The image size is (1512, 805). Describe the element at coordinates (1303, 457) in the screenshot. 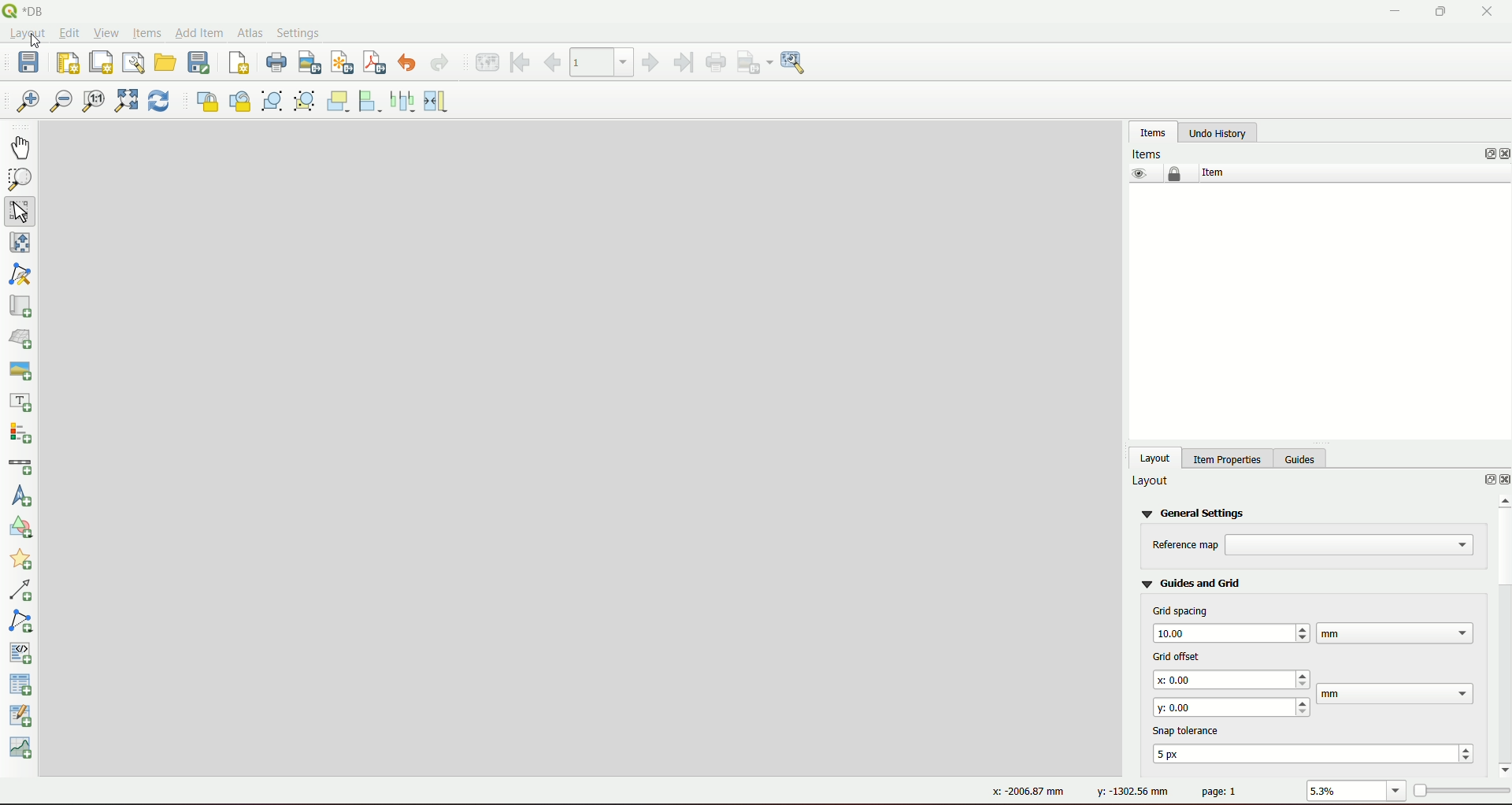

I see `guides` at that location.